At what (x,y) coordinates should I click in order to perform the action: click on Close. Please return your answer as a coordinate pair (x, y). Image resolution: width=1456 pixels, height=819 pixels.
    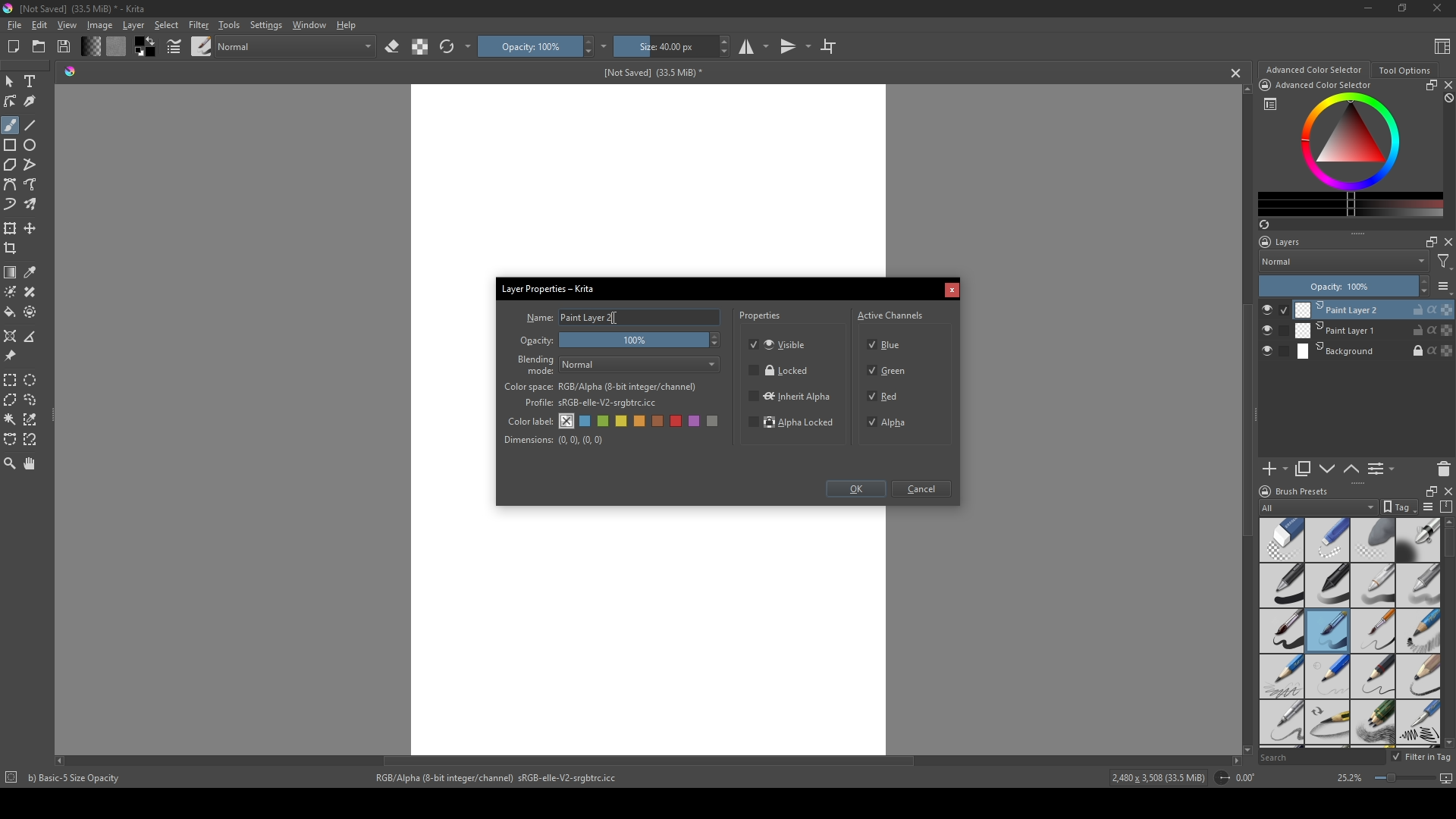
    Looking at the image, I should click on (1434, 9).